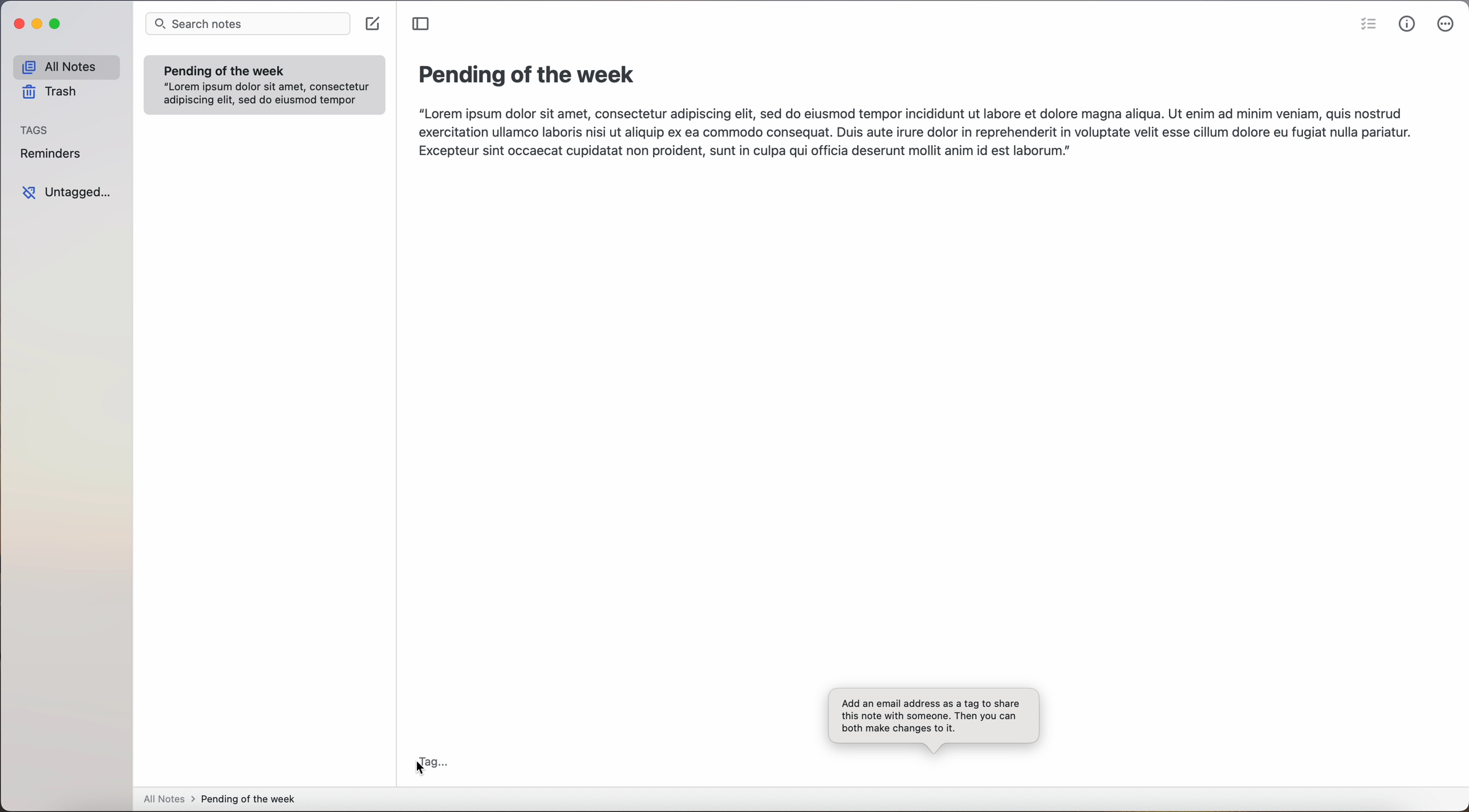  I want to click on “Lorem ipsum dolor sit amet, consectetur adipiscing elit, sed do eiusmod tempor incididunt ut labore et dolore magna aliqua. Ut enim ad minim veniam, quis nostrud
exercitation ullamco laboris nisi ut aliquip ex ea commodo consequat. Duis aute irure dolor in reprehenderit in voluptate velit esse cillum dolore eu fugiat nulla pariatur.
Excepteur sint occaecat cupidatat non proident, sunt in culpa qui officia deserunt mollit anim id est laborum.]|, so click(916, 135).